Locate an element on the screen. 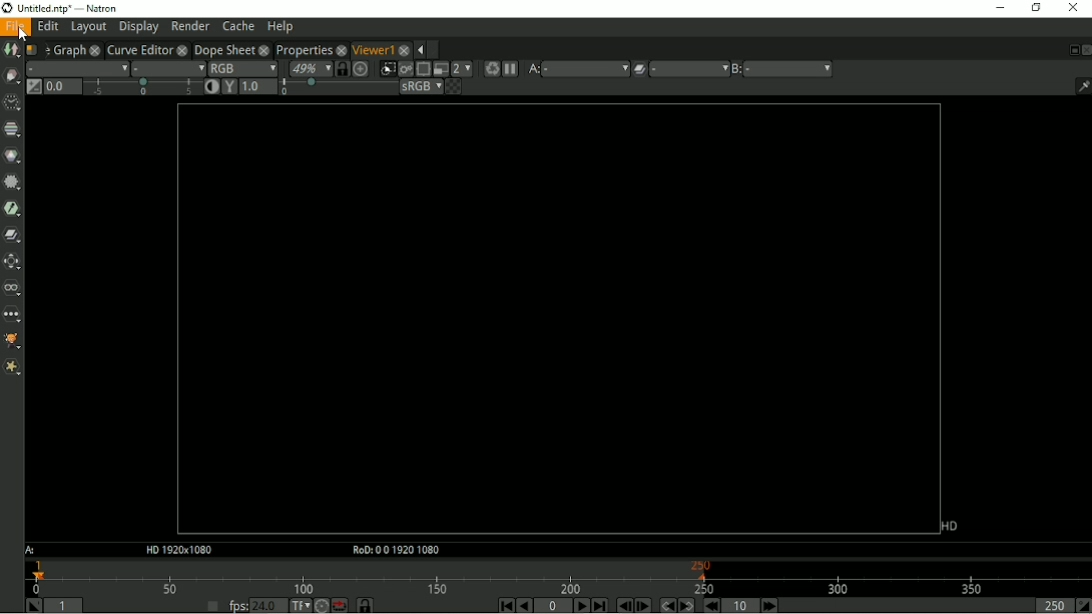 The image size is (1092, 614). Render image is located at coordinates (405, 69).